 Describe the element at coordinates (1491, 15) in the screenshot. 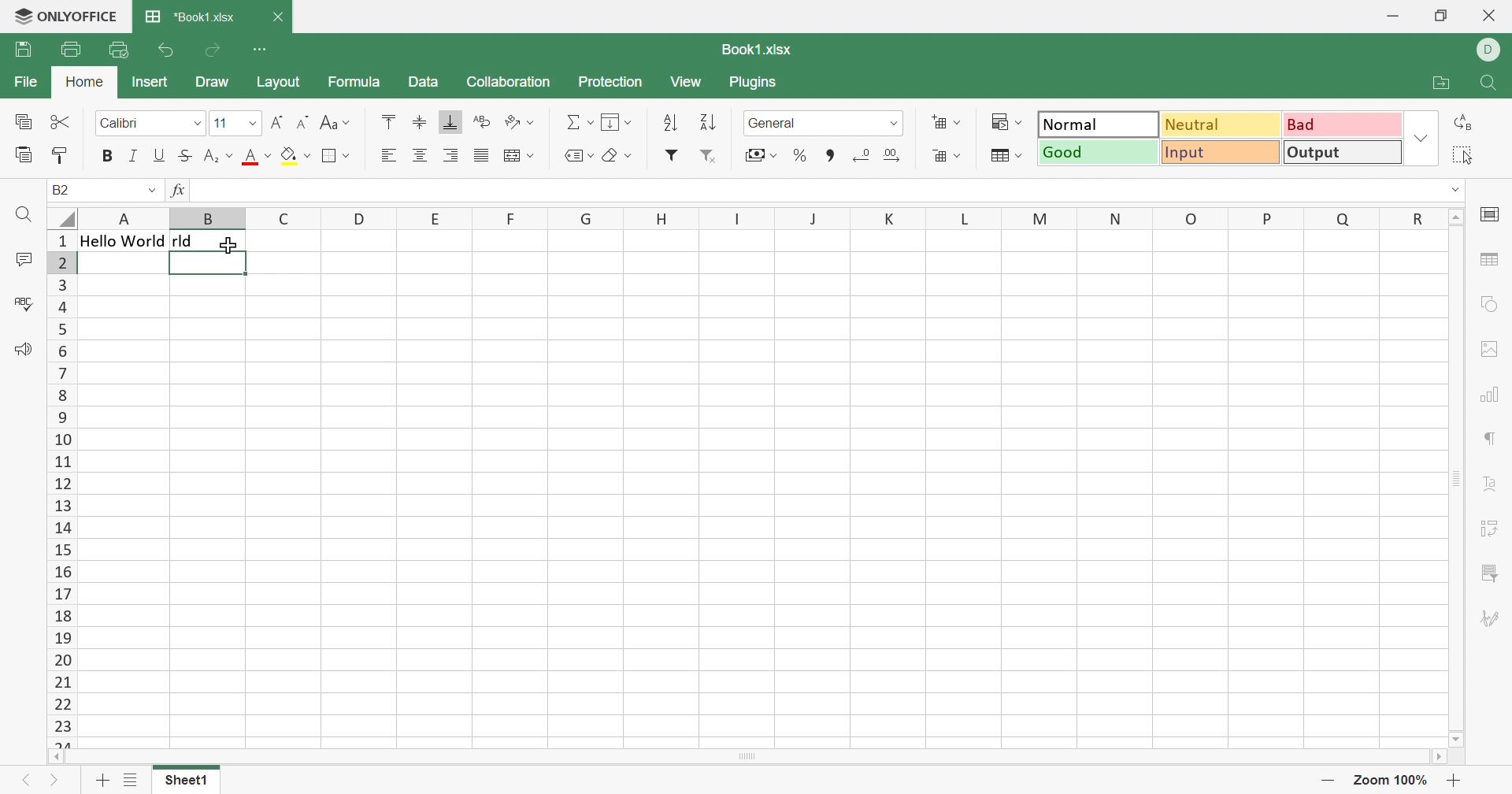

I see `Close` at that location.